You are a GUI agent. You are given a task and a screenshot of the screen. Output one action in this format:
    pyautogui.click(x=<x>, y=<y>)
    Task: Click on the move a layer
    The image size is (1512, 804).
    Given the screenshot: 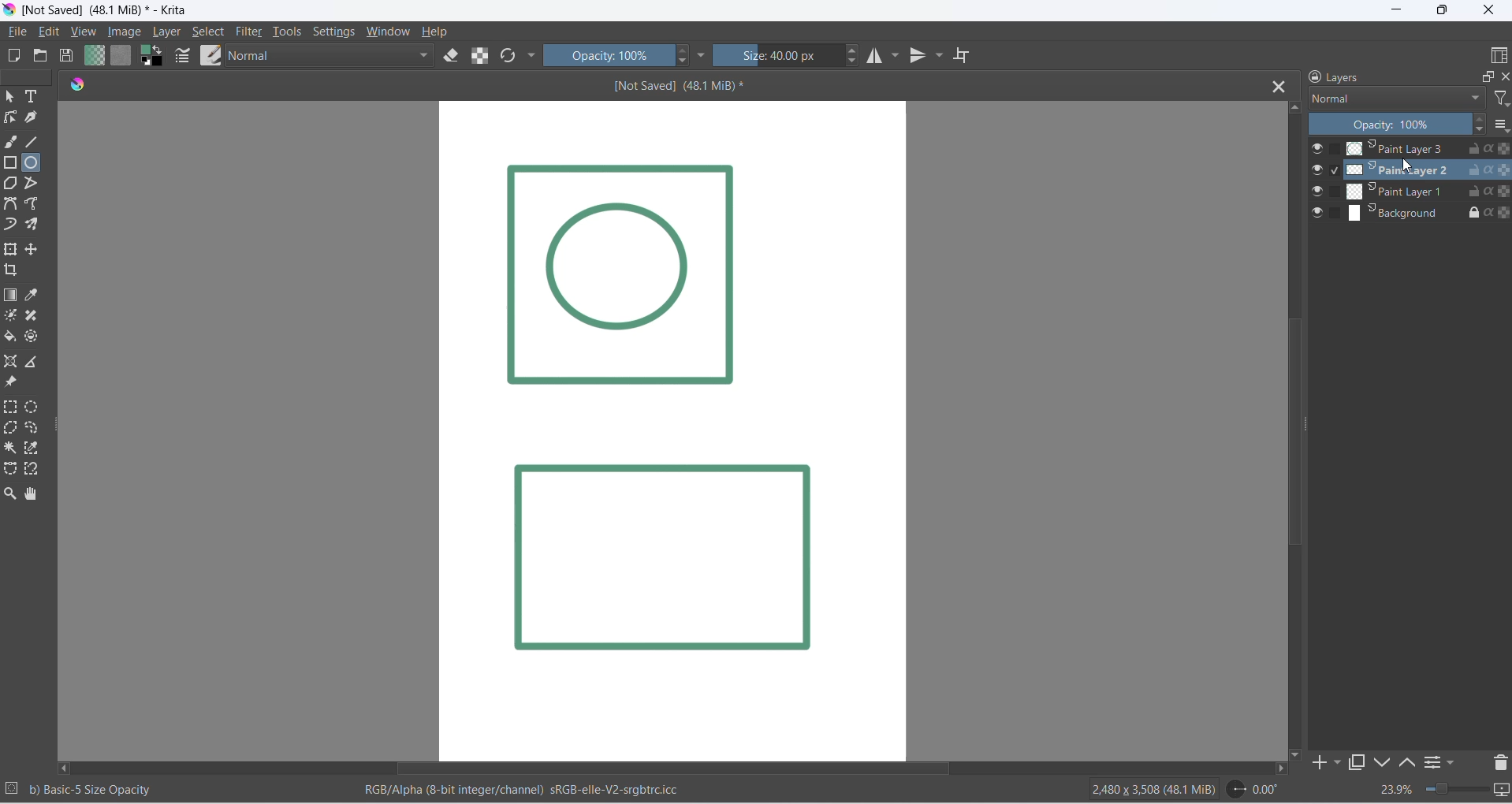 What is the action you would take?
    pyautogui.click(x=36, y=249)
    